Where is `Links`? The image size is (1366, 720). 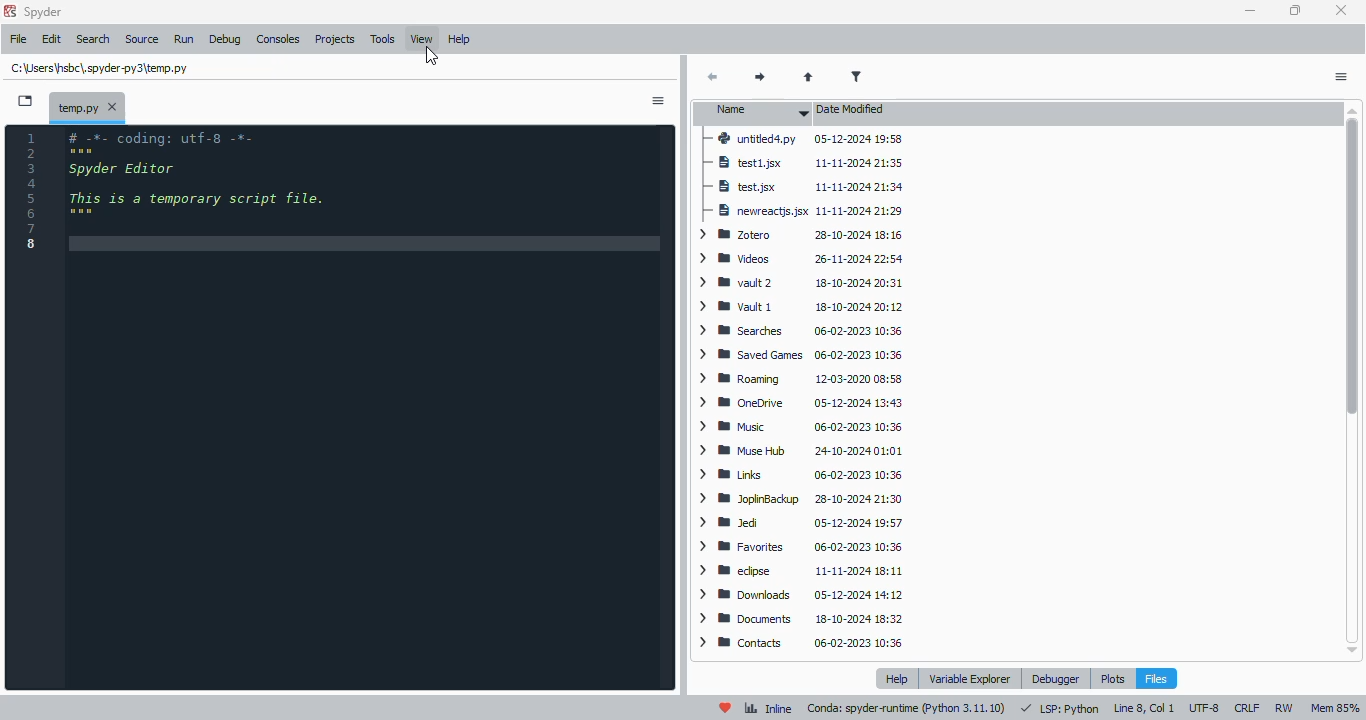
Links is located at coordinates (805, 475).